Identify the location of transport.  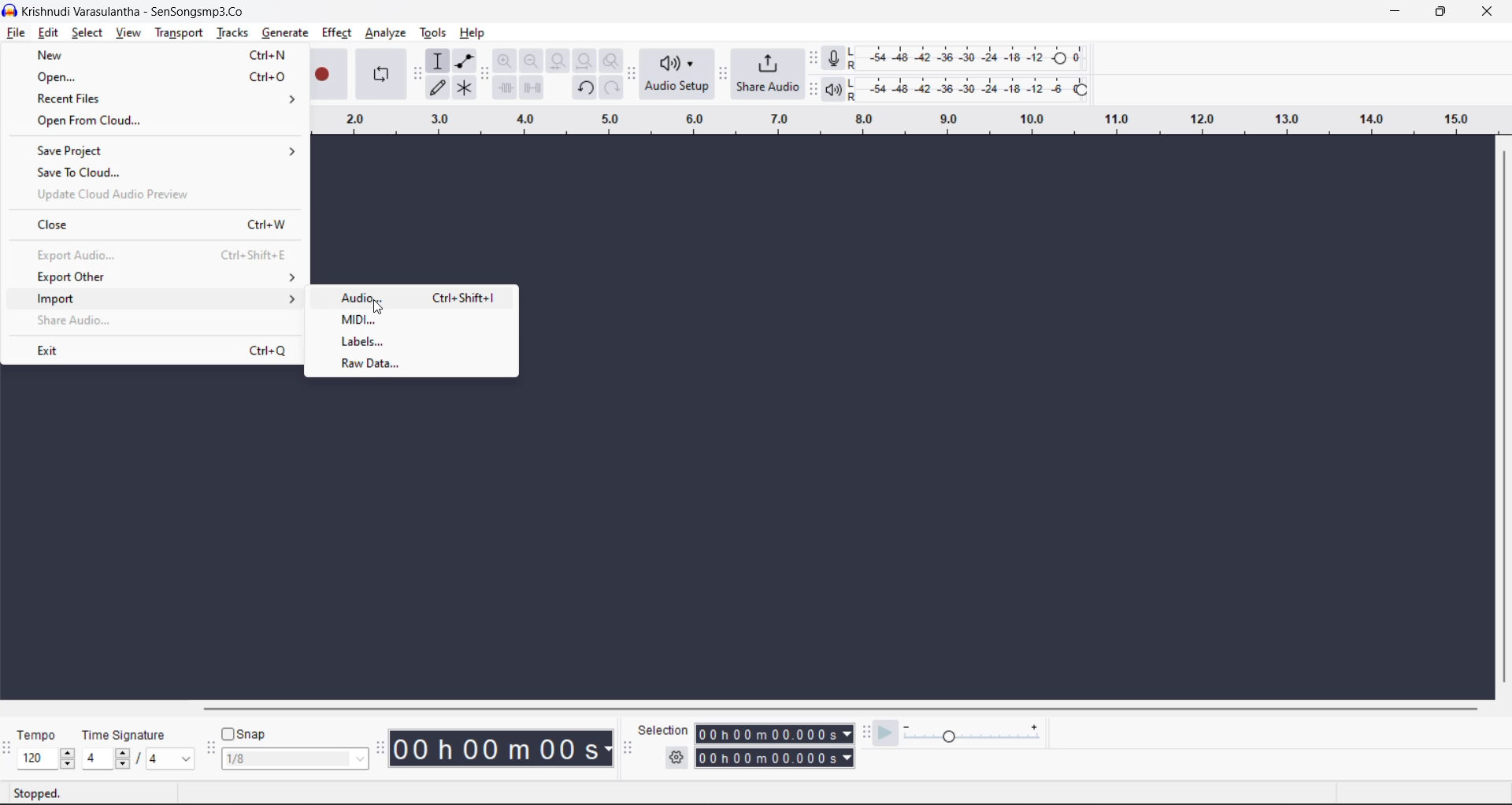
(179, 33).